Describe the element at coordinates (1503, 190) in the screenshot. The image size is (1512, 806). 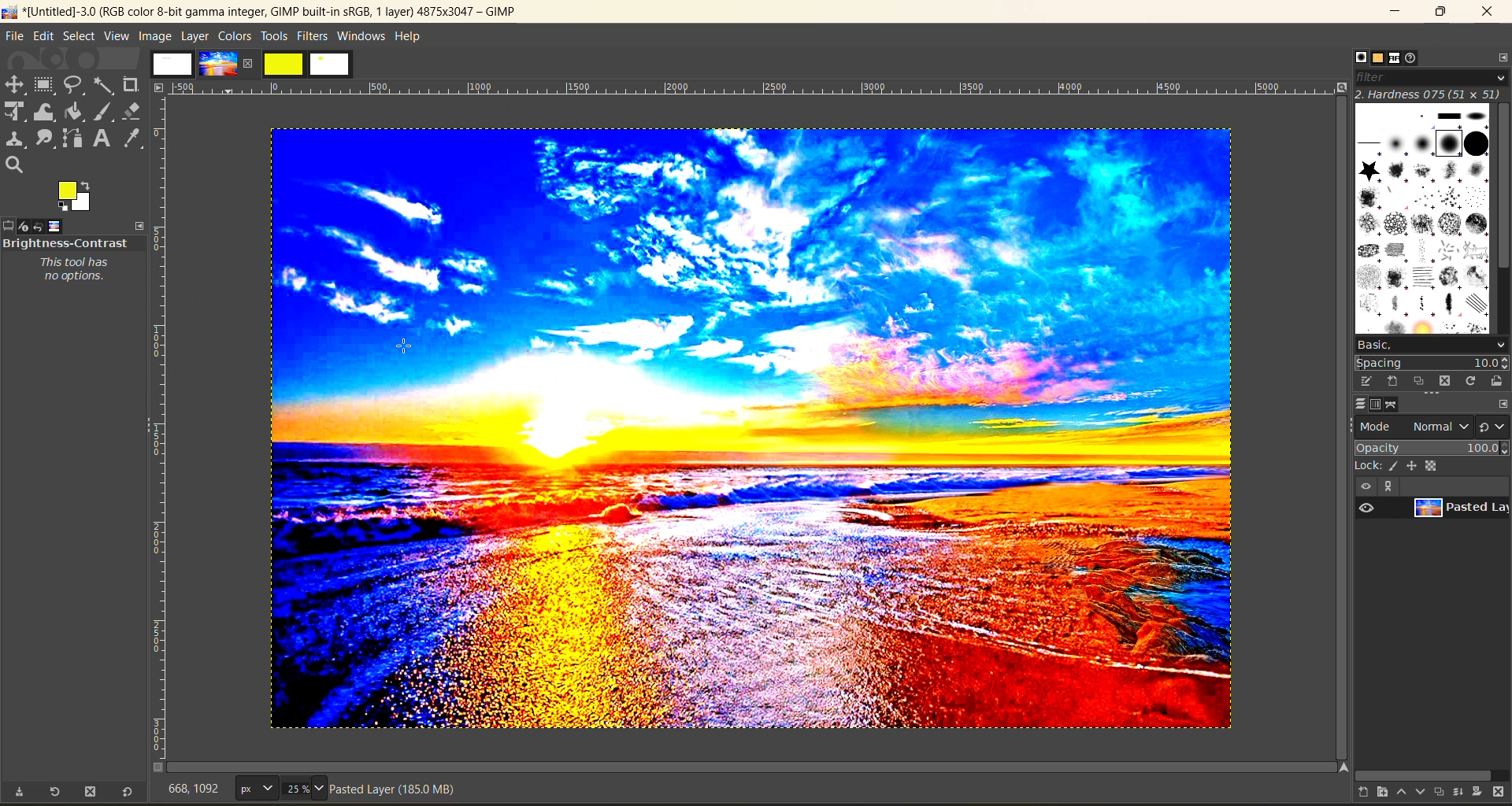
I see `vertical scroll bar` at that location.